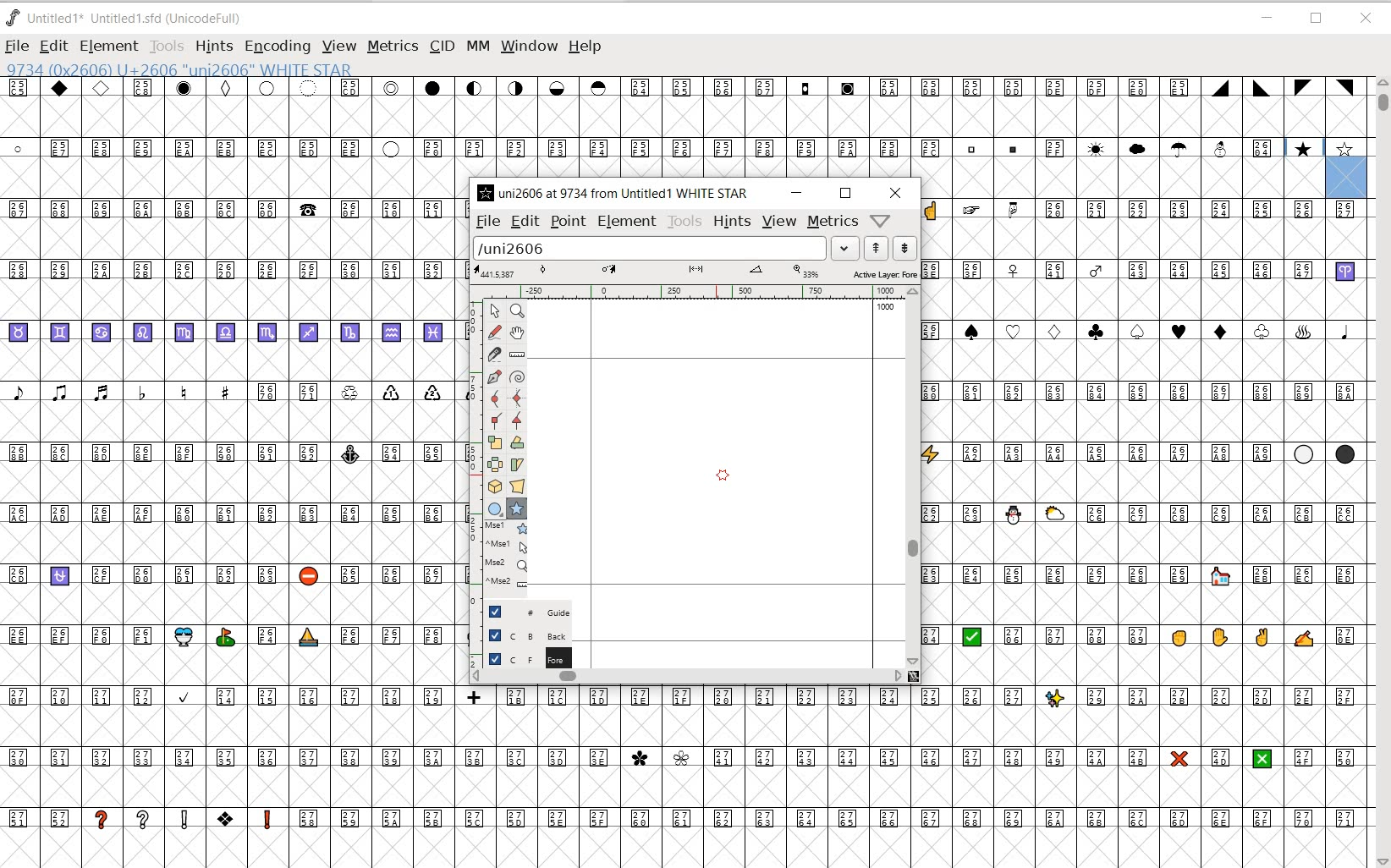 The image size is (1391, 868). Describe the element at coordinates (1366, 19) in the screenshot. I see `CLOSE` at that location.